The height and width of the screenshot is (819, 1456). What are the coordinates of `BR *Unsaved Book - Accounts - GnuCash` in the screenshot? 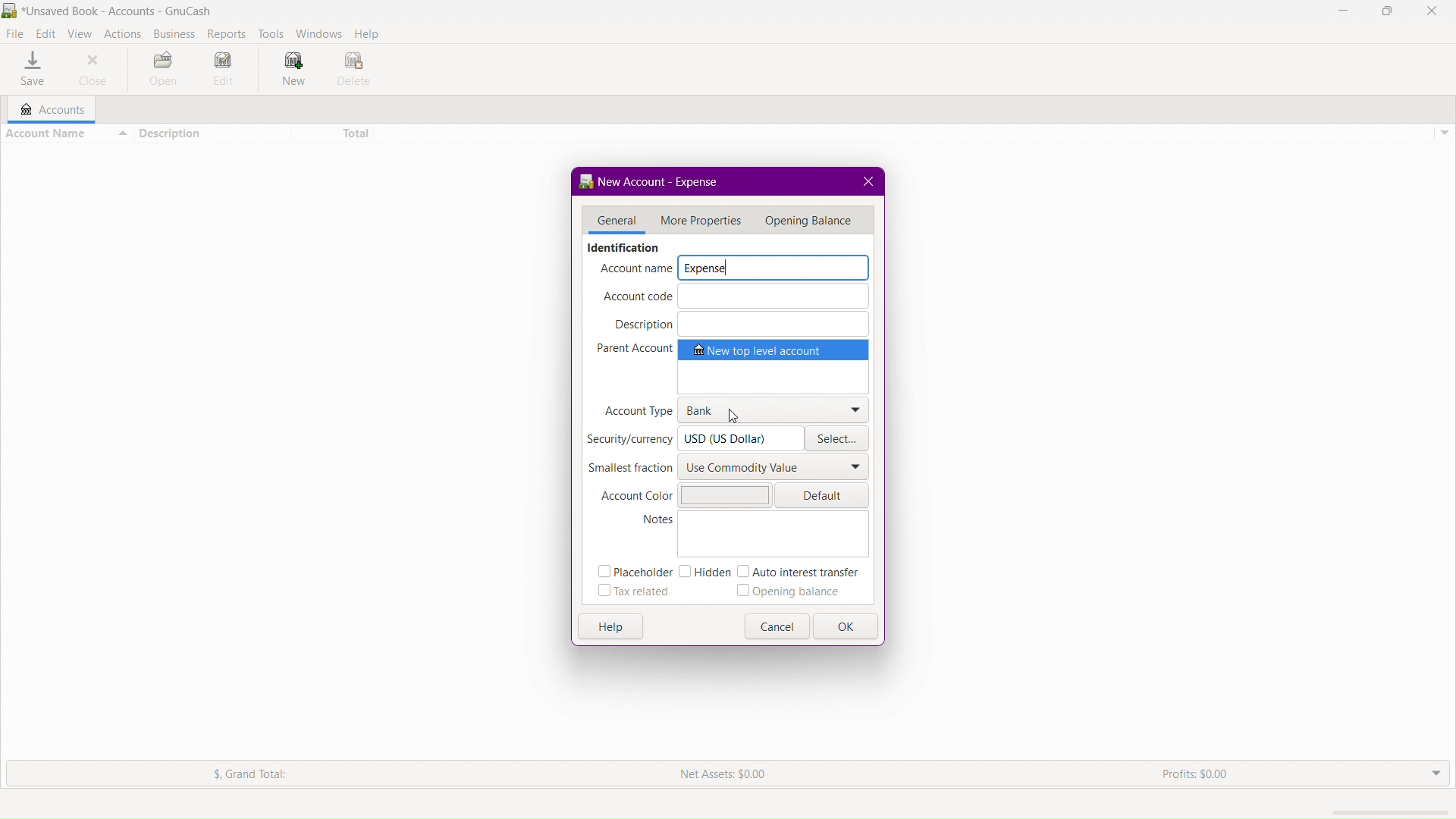 It's located at (113, 10).